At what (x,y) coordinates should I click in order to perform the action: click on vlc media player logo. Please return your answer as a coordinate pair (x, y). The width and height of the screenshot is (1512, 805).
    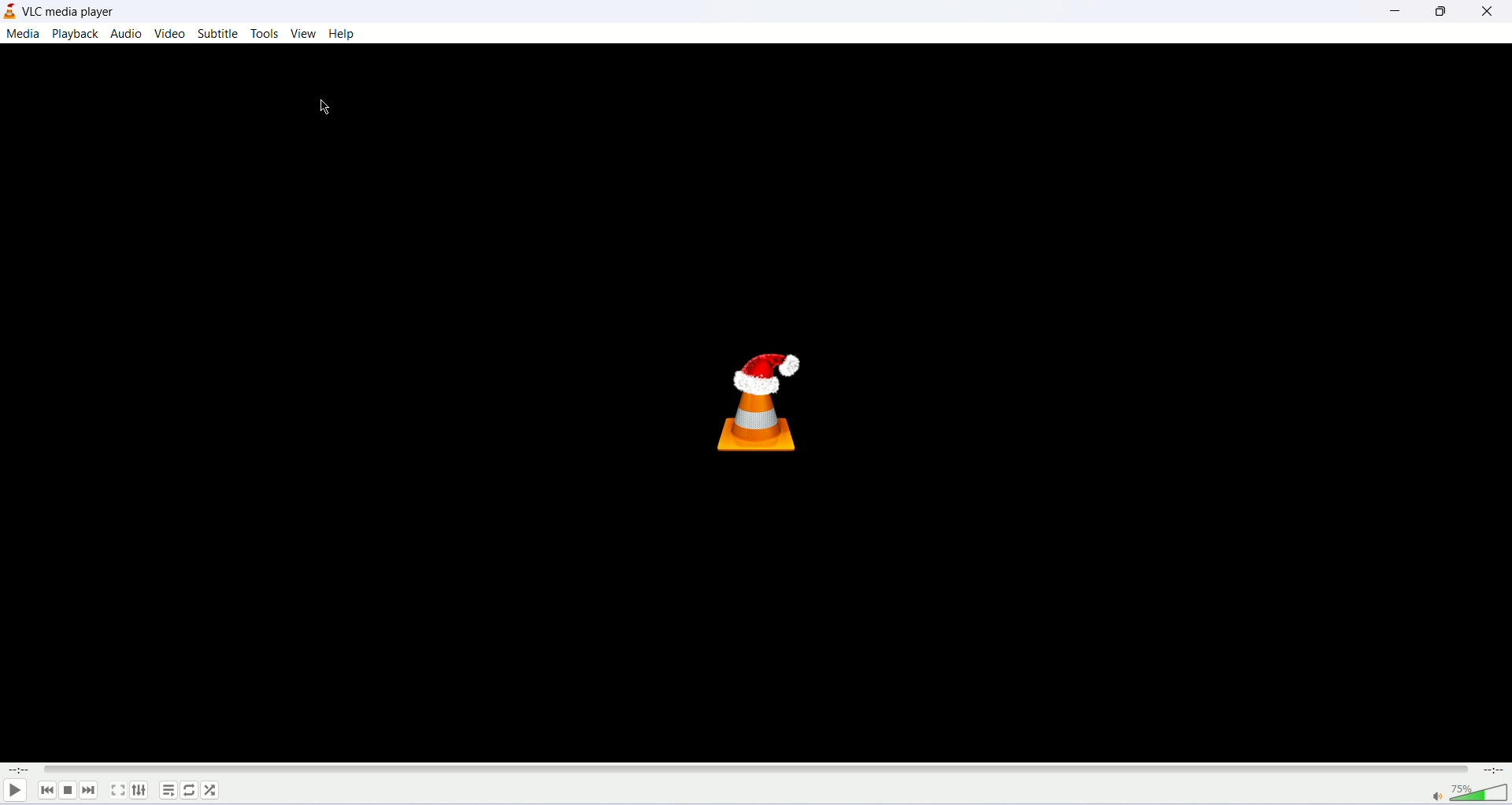
    Looking at the image, I should click on (764, 393).